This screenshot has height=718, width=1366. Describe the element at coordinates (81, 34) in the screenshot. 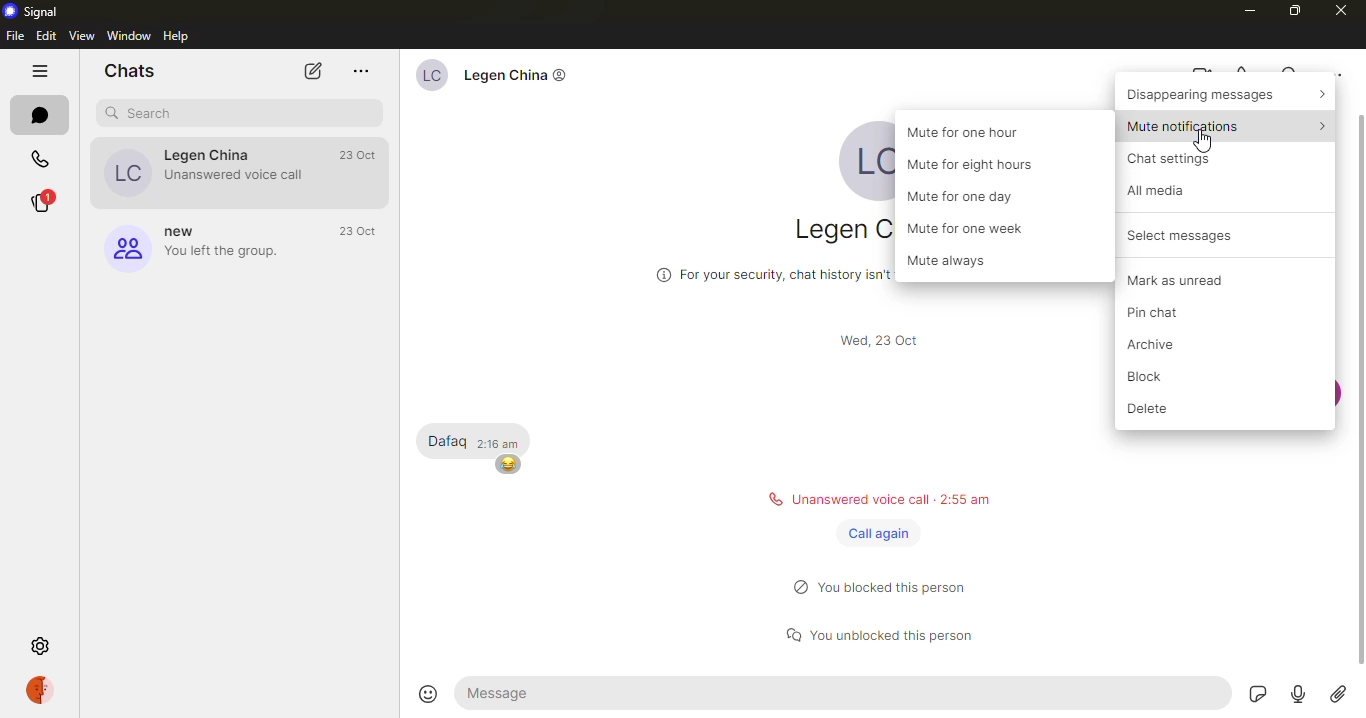

I see `view` at that location.